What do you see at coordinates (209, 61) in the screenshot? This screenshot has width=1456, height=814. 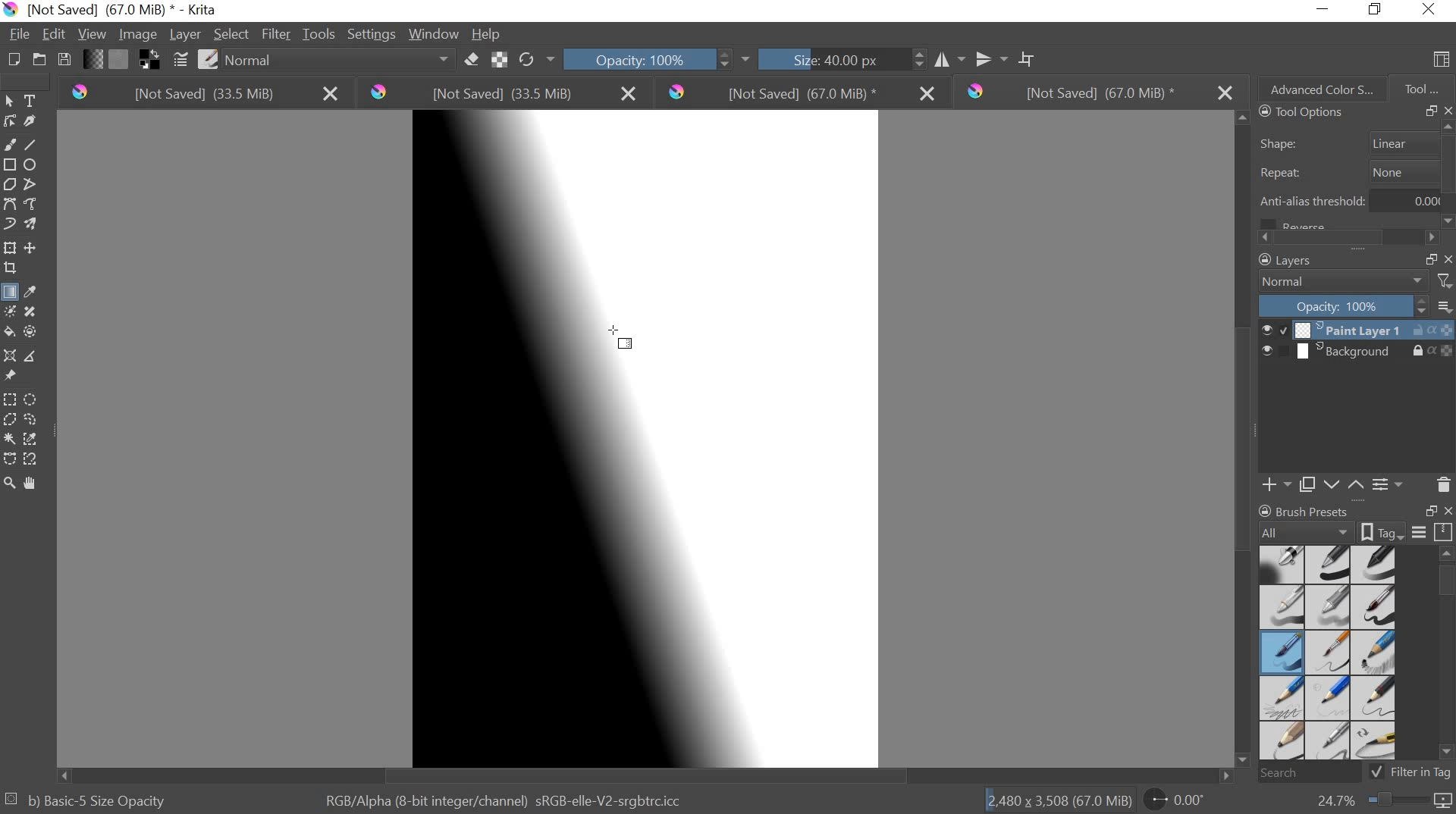 I see `CHOOSE BRUSH PRESET` at bounding box center [209, 61].